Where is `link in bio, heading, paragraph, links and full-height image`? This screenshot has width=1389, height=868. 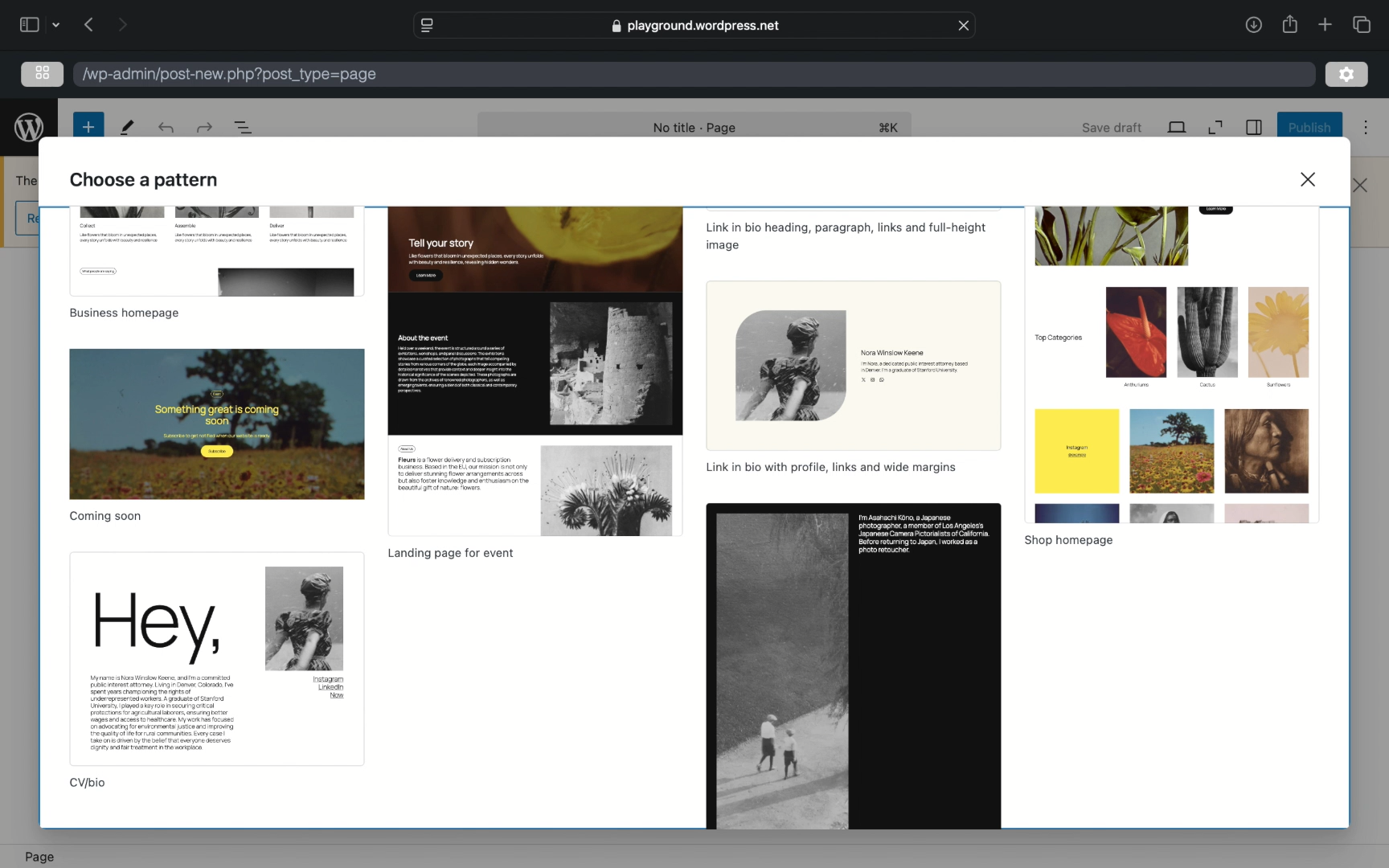
link in bio, heading, paragraph, links and full-height image is located at coordinates (846, 239).